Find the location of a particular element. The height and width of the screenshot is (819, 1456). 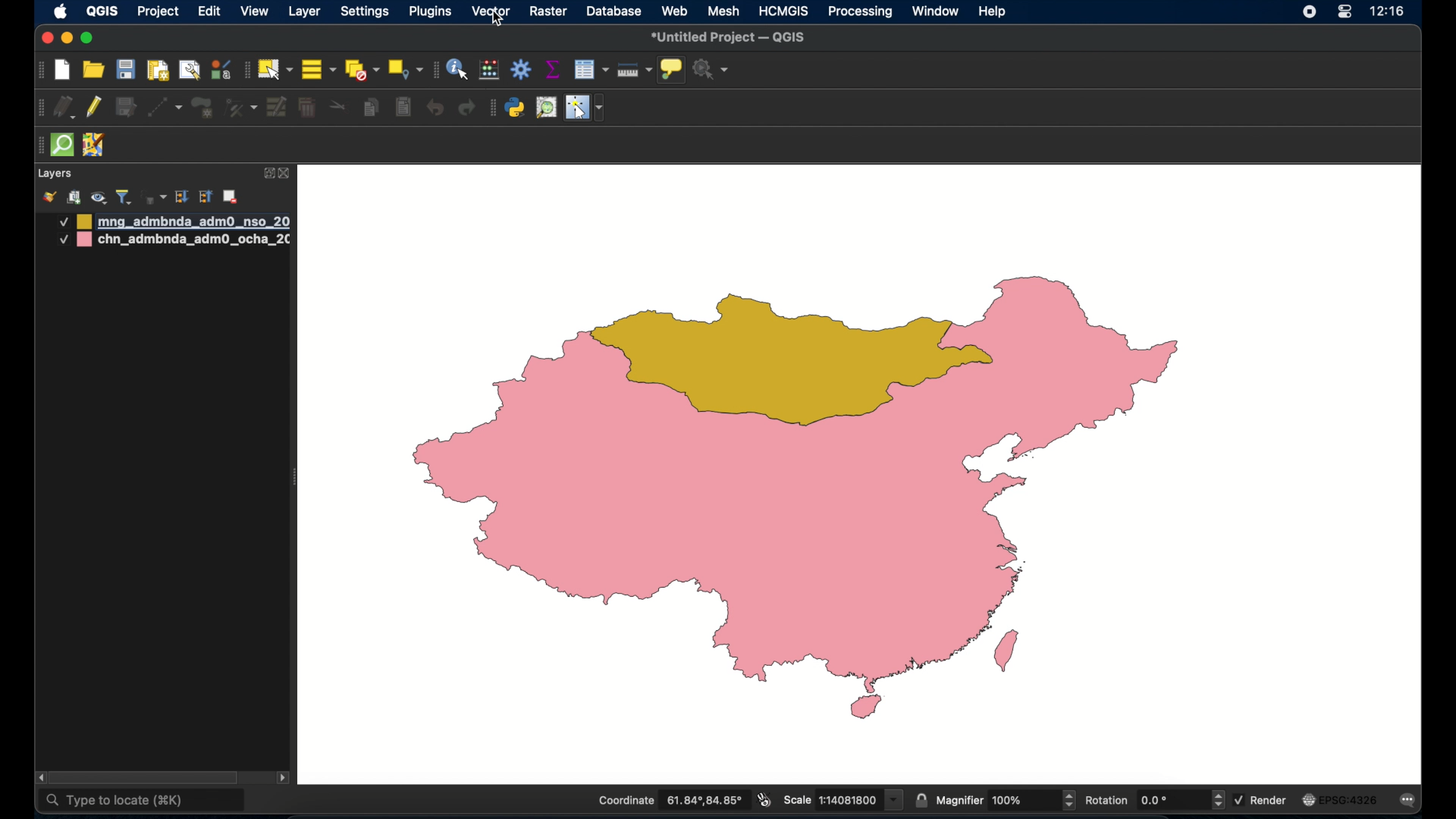

coordinate is located at coordinates (670, 801).